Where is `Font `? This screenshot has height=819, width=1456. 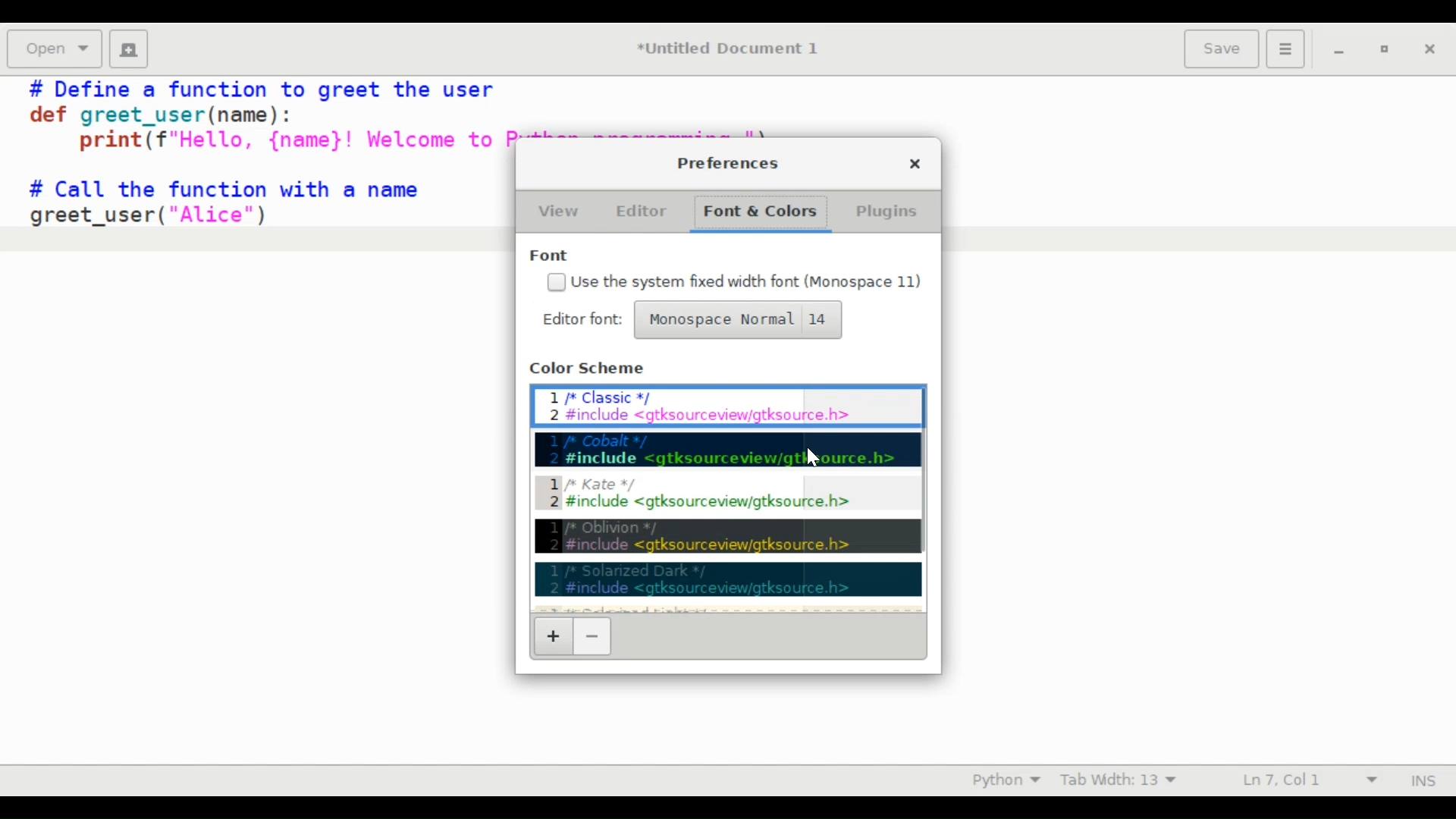 Font  is located at coordinates (554, 254).